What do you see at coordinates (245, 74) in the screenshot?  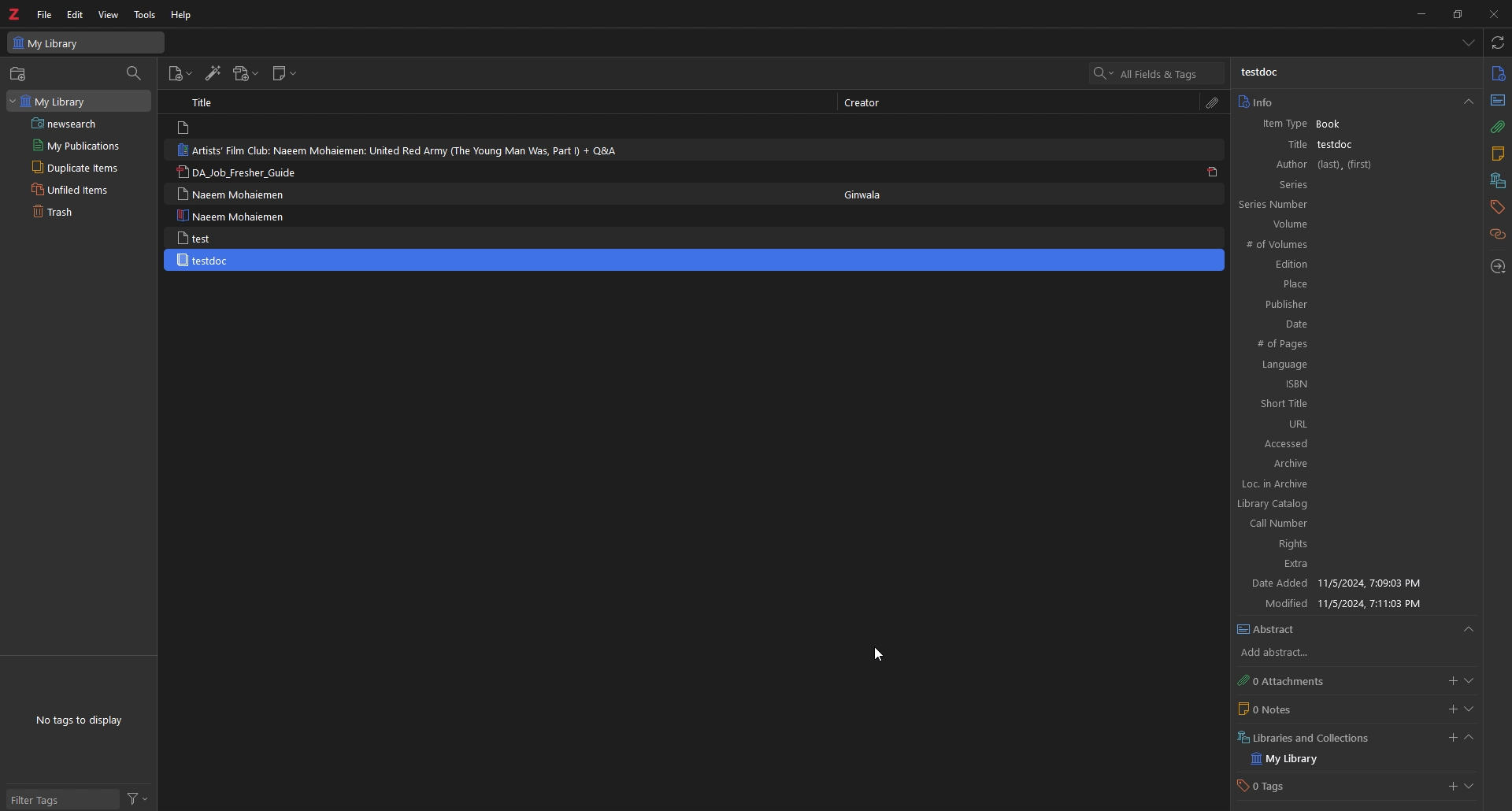 I see `add attachment` at bounding box center [245, 74].